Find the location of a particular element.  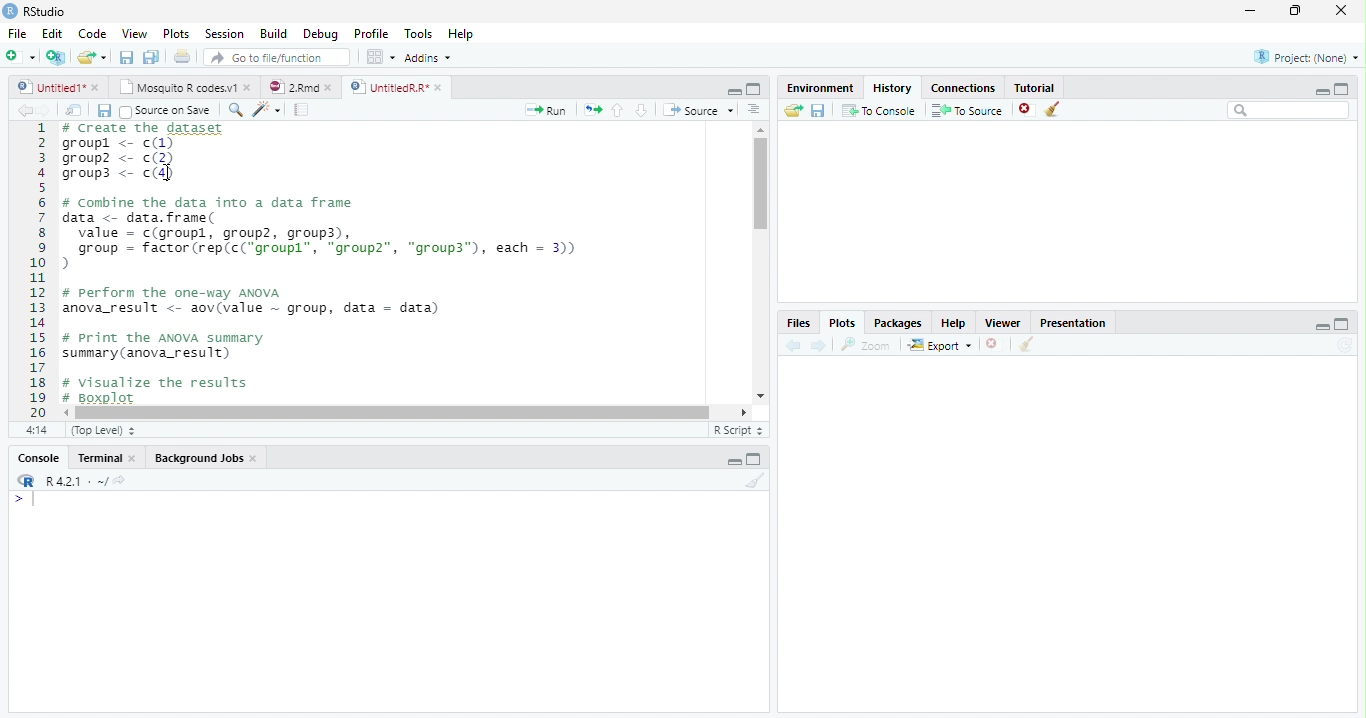

Rstudio is located at coordinates (33, 9).